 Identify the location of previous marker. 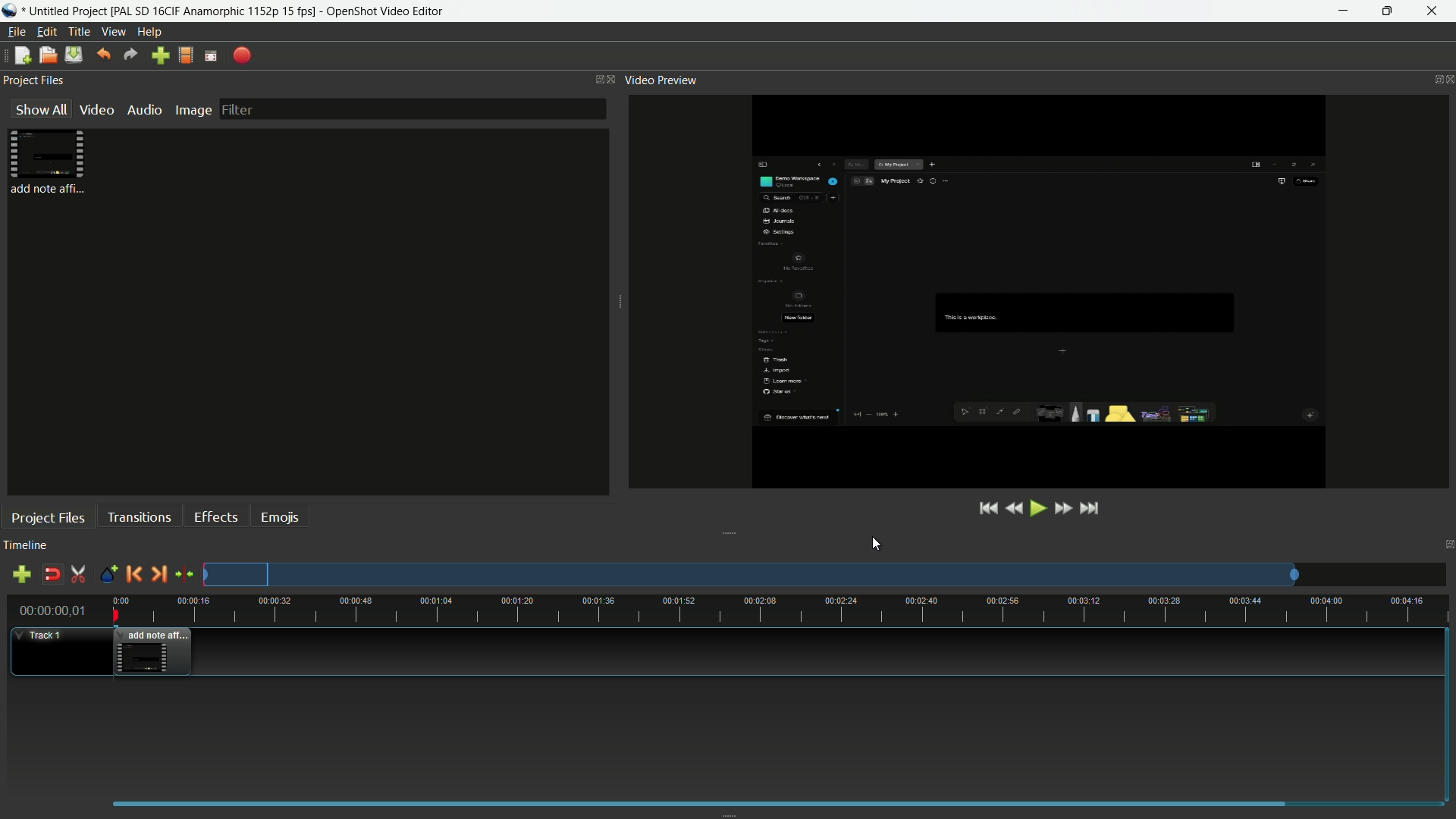
(133, 574).